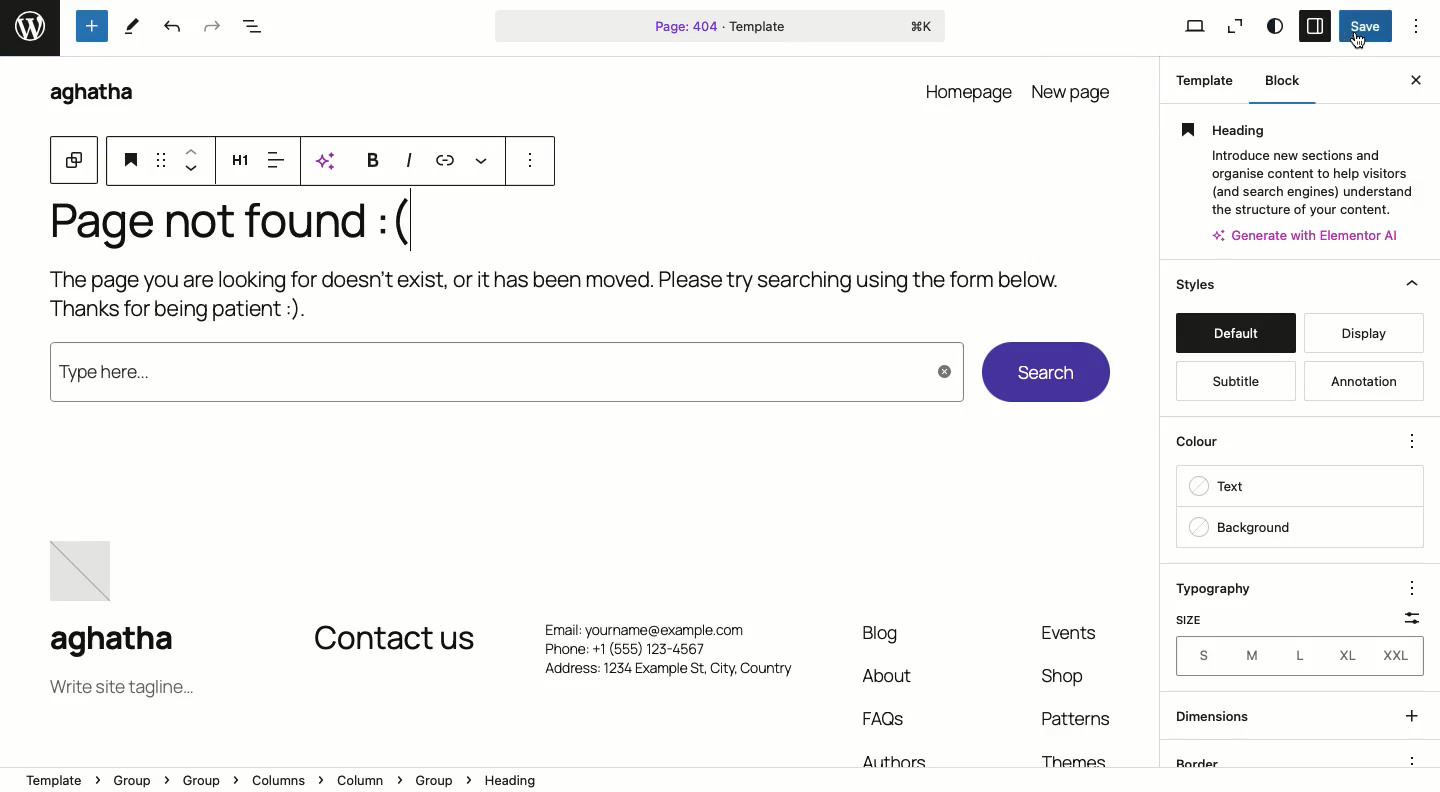  Describe the element at coordinates (1350, 657) in the screenshot. I see `XL` at that location.